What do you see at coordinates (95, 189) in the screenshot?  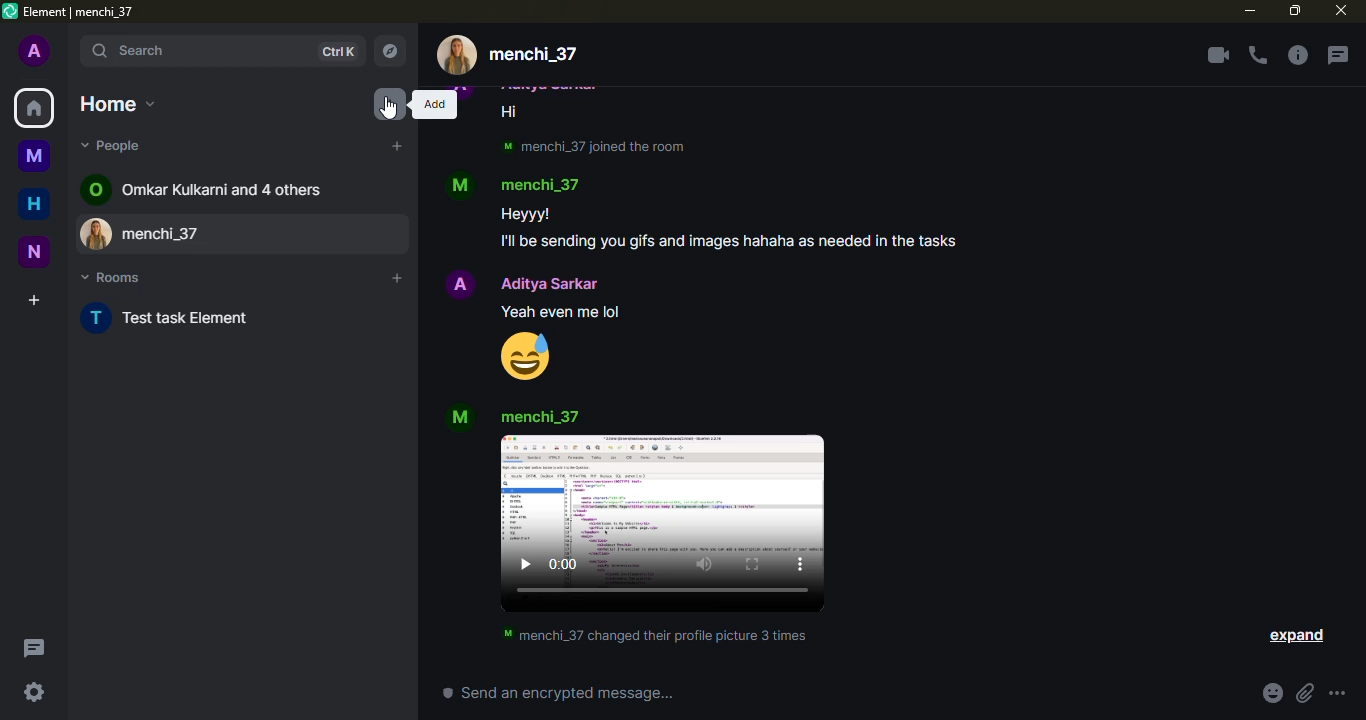 I see `Profile initials` at bounding box center [95, 189].